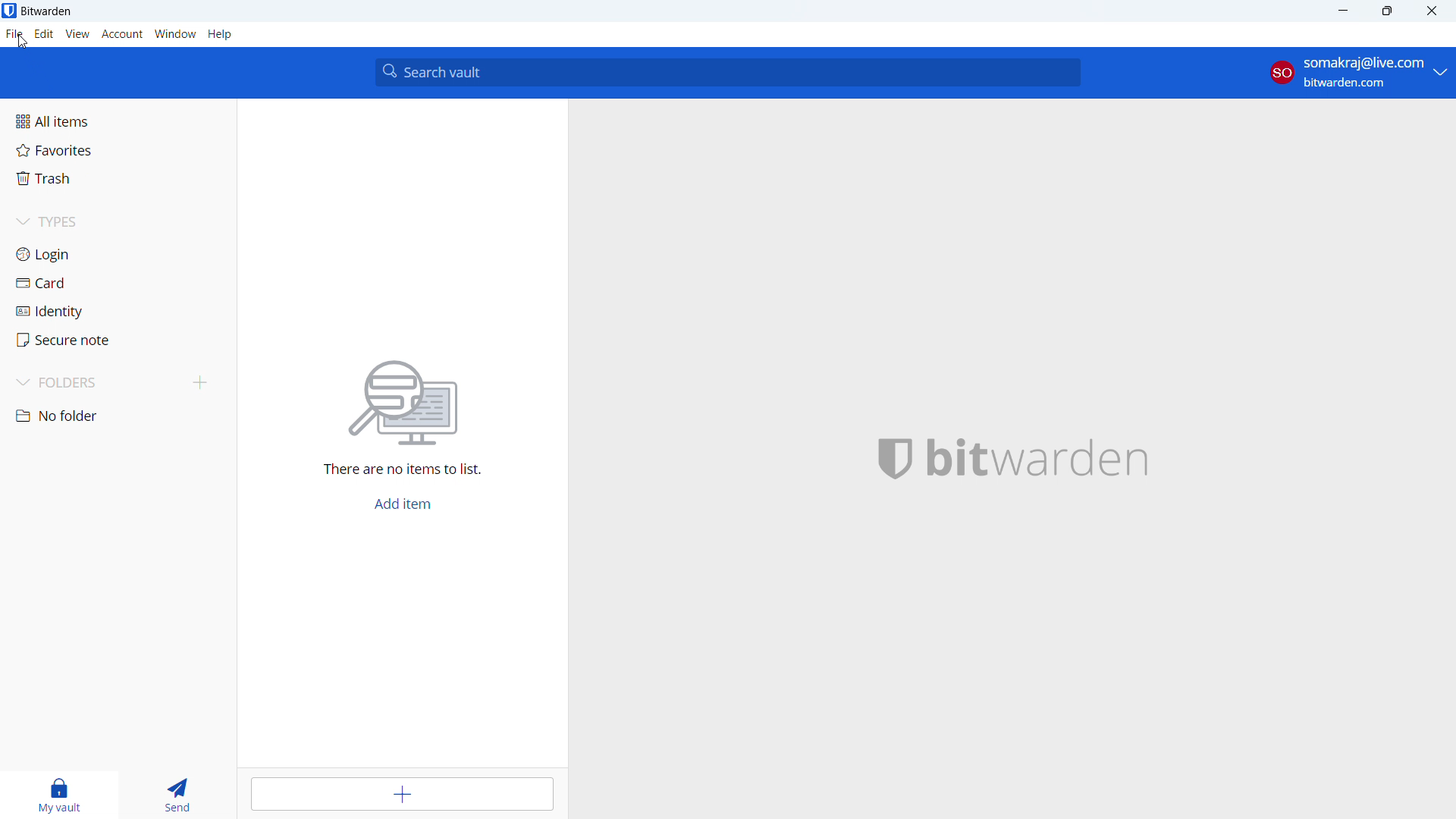  Describe the element at coordinates (44, 34) in the screenshot. I see `edit` at that location.